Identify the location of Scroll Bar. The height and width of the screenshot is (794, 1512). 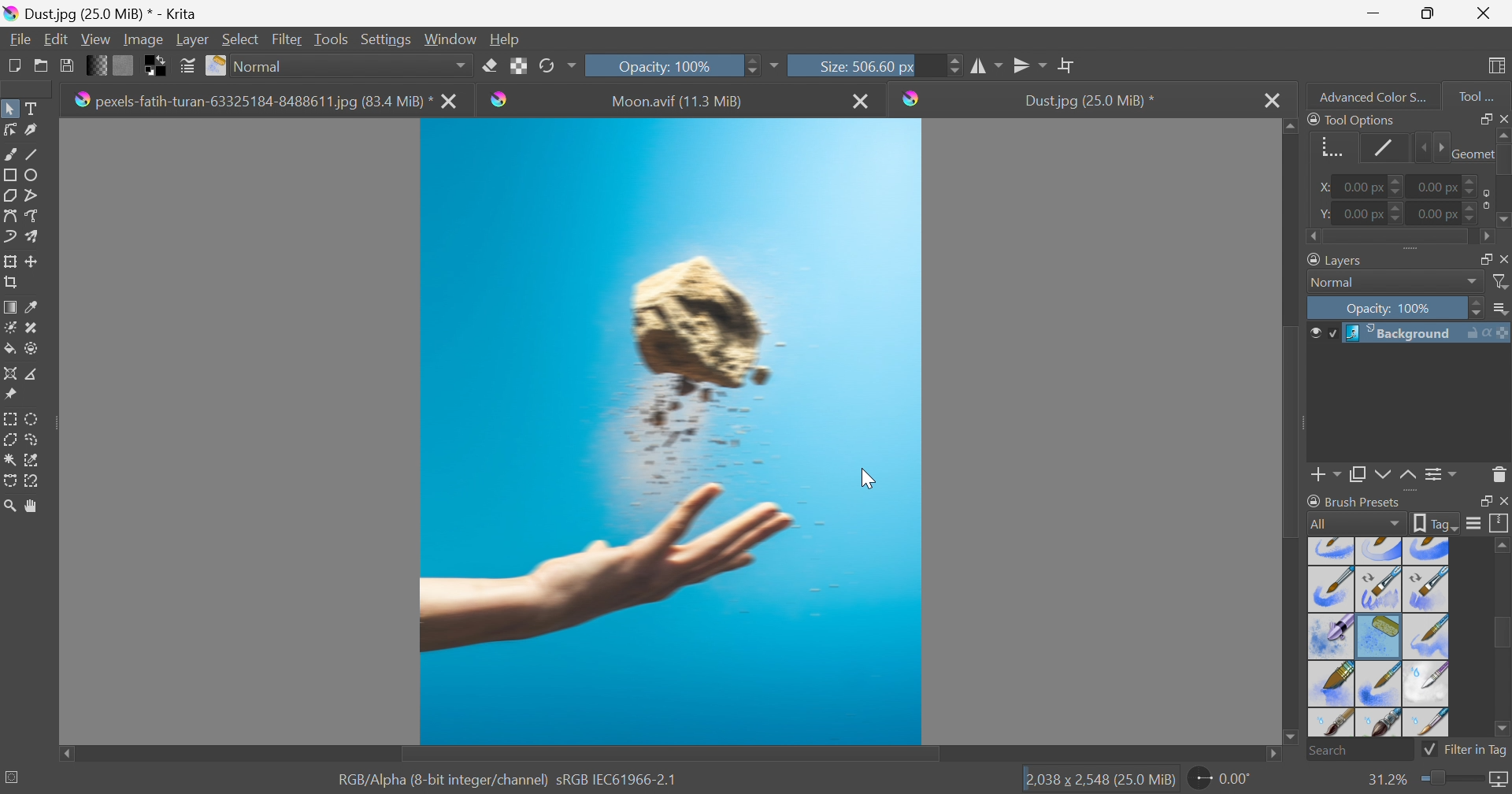
(670, 755).